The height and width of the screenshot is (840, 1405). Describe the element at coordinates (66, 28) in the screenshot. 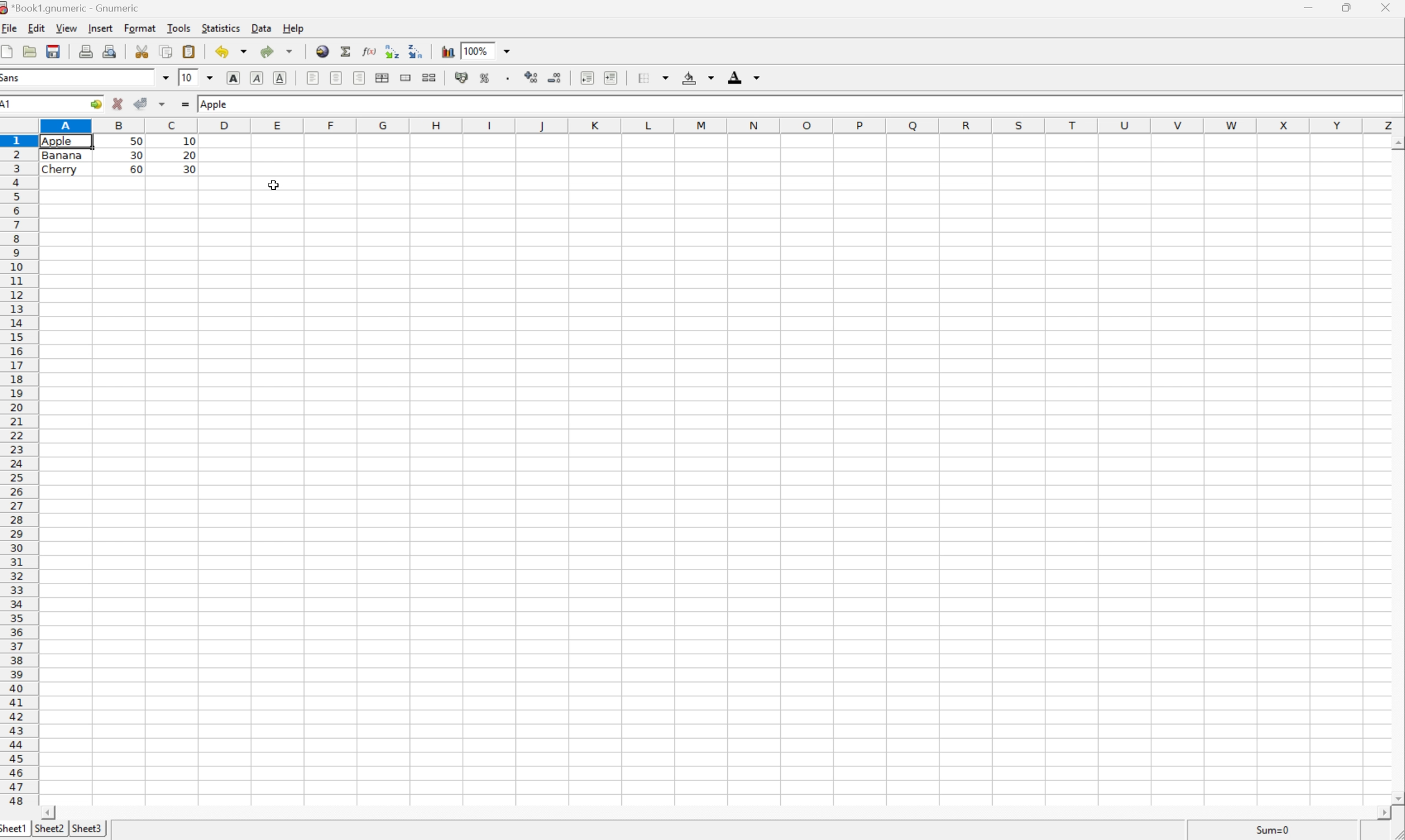

I see `view` at that location.